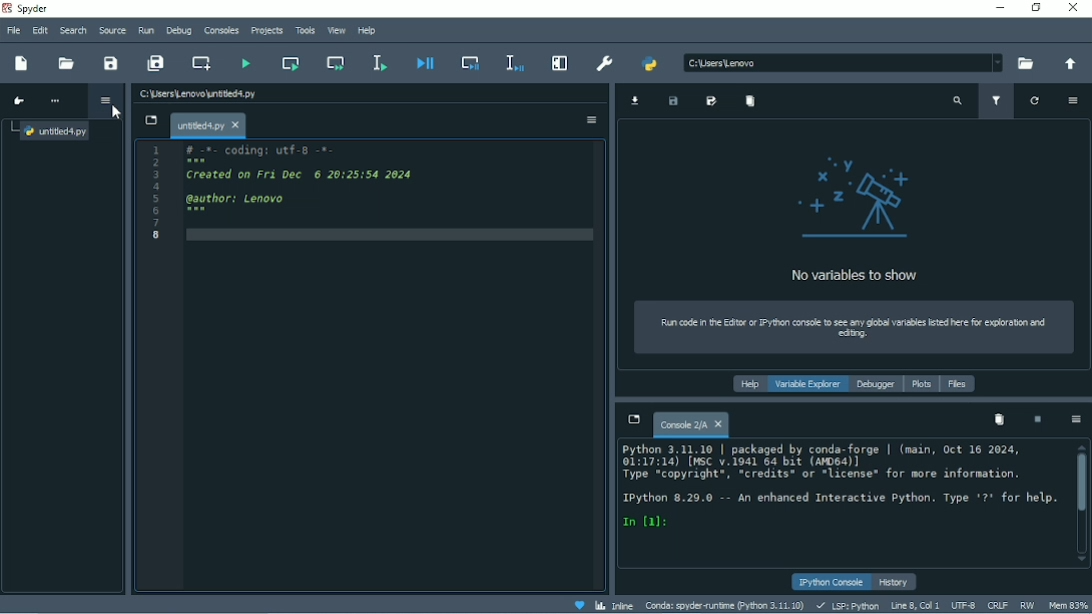 The image size is (1092, 614). I want to click on logo, so click(860, 199).